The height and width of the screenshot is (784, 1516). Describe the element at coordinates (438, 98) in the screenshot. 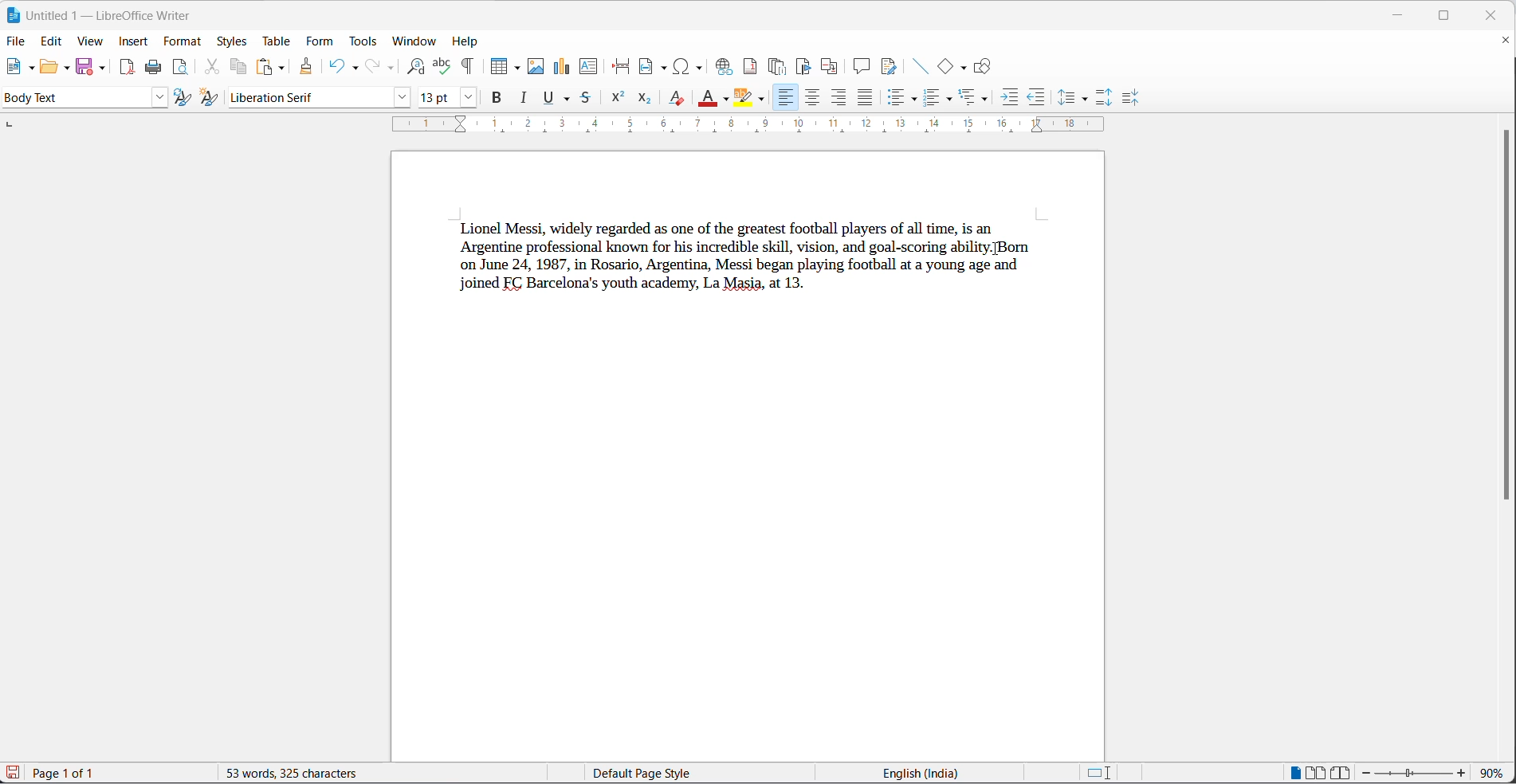

I see `` at that location.